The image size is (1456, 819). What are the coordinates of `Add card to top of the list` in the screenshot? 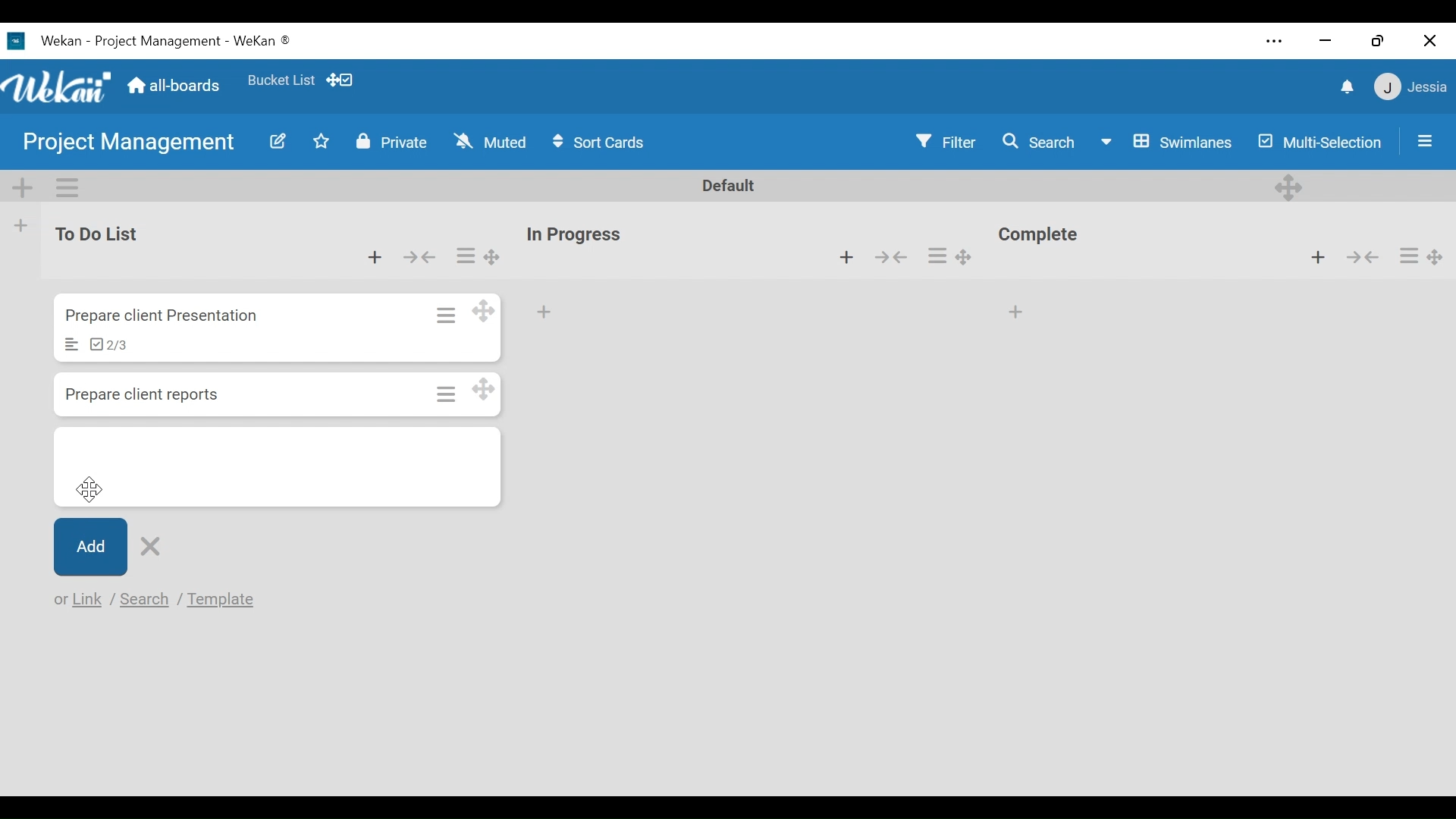 It's located at (1321, 258).